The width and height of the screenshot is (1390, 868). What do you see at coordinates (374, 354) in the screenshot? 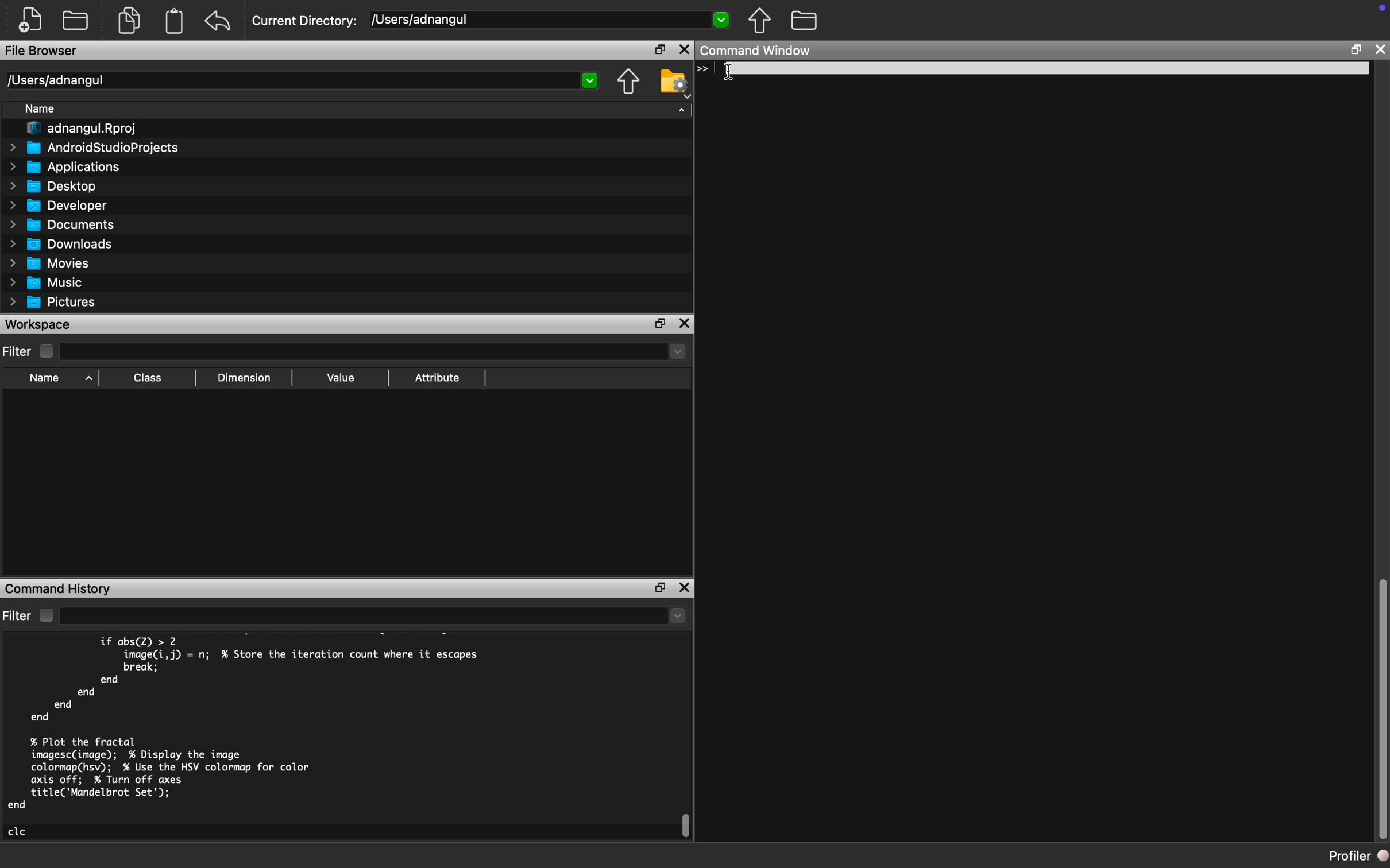
I see `Dropdown` at bounding box center [374, 354].